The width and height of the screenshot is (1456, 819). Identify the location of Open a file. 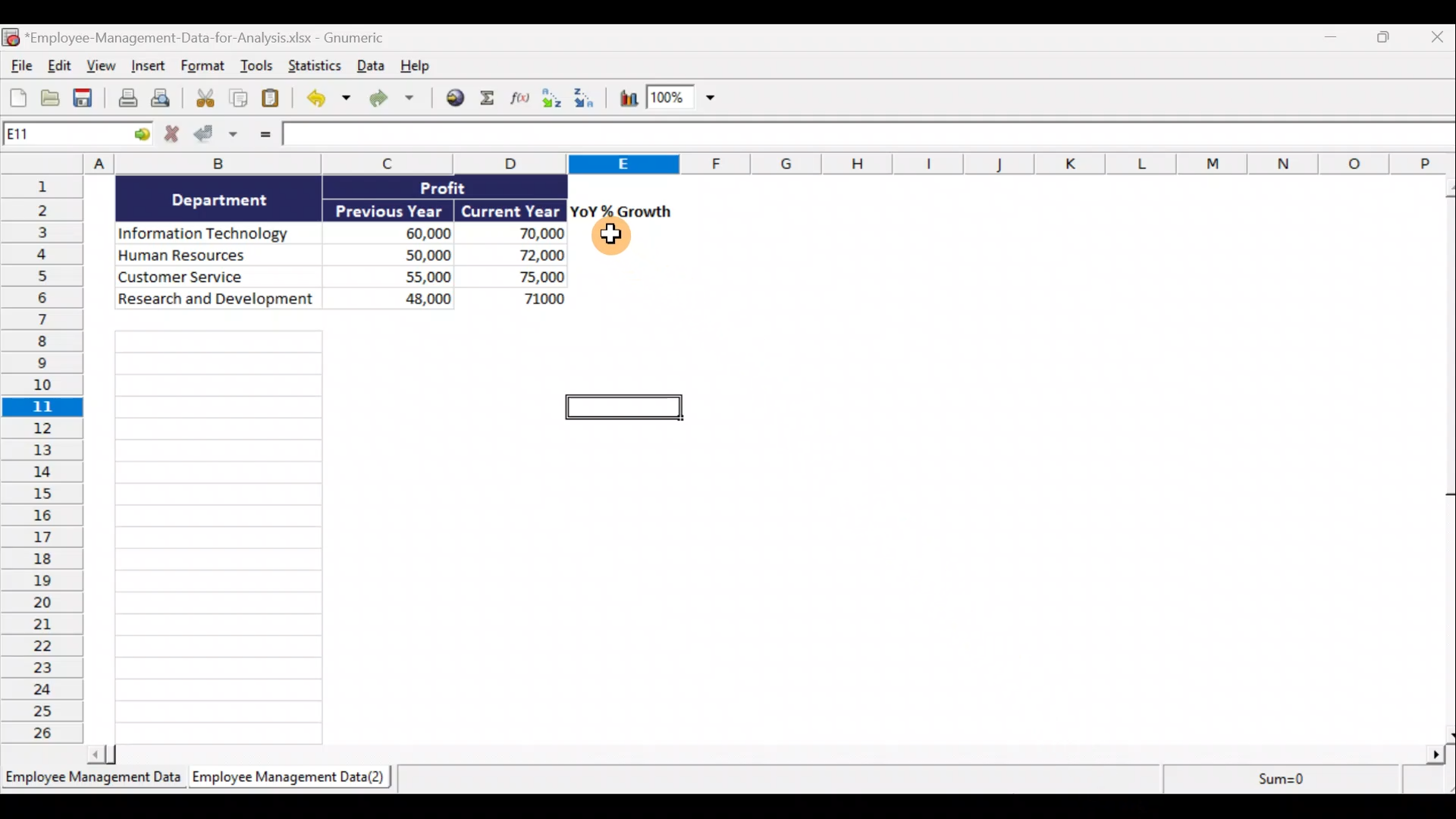
(52, 98).